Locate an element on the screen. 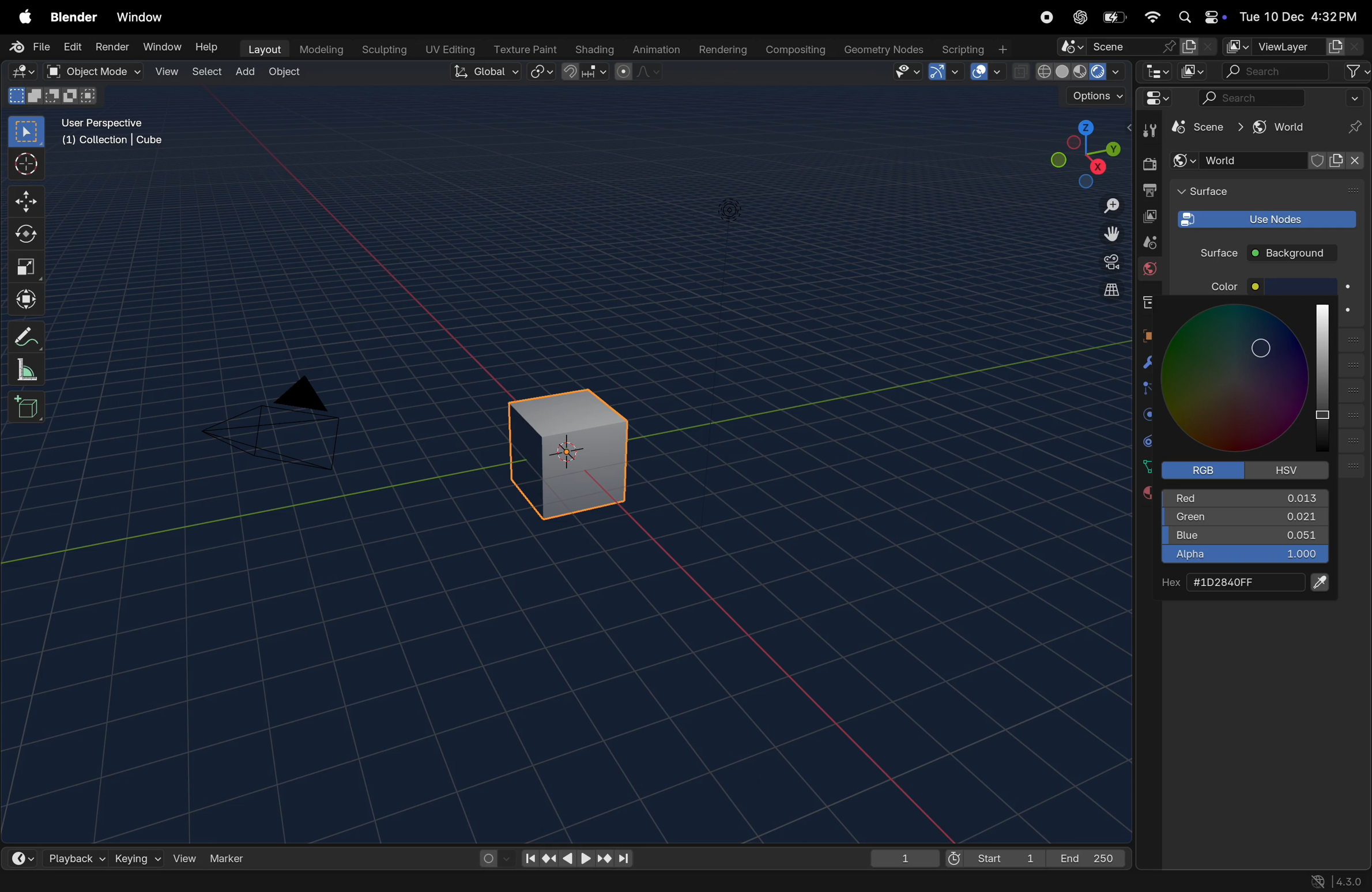  show gimzo is located at coordinates (947, 72).